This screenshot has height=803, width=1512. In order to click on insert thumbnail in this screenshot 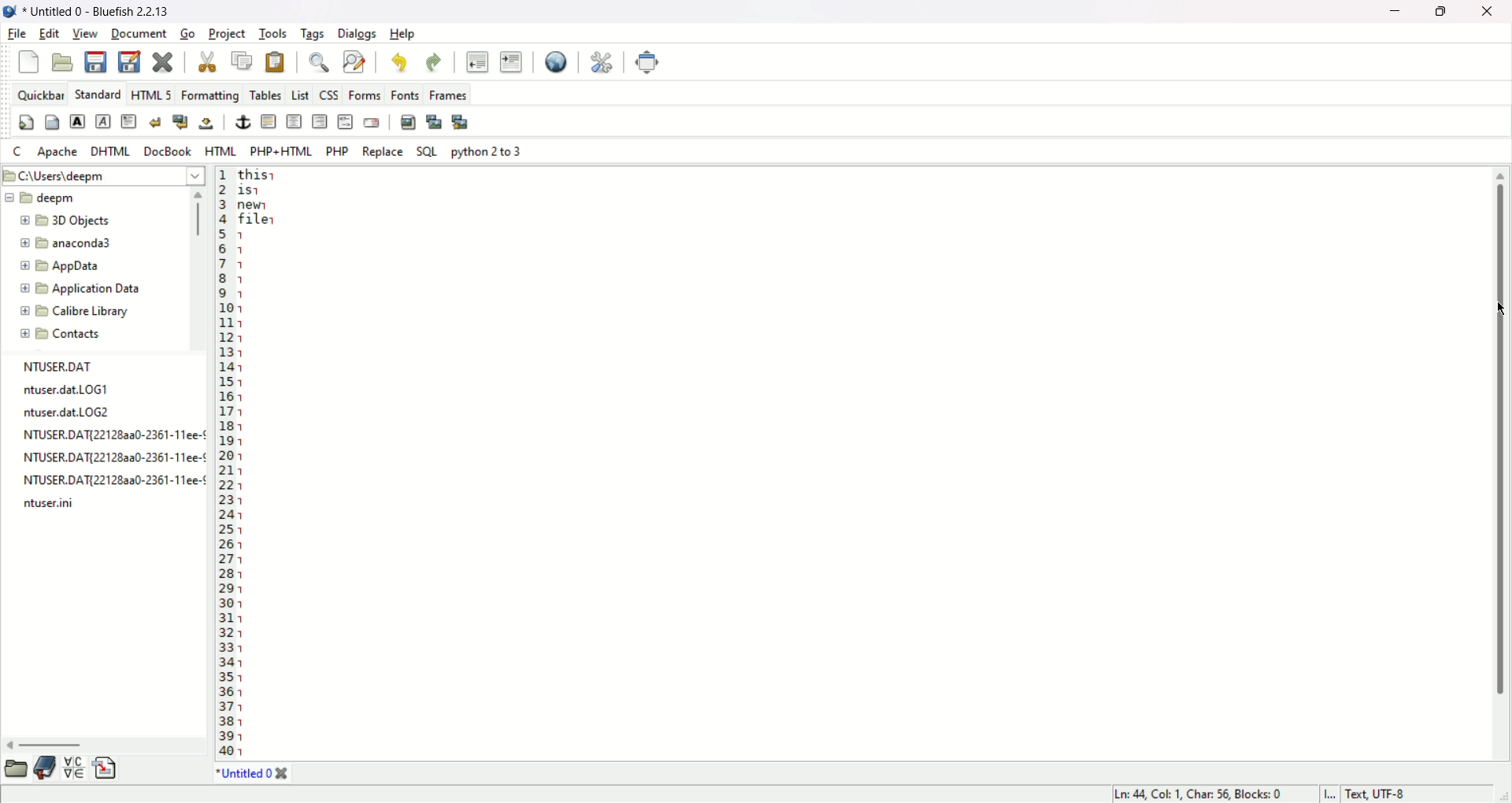, I will do `click(435, 121)`.